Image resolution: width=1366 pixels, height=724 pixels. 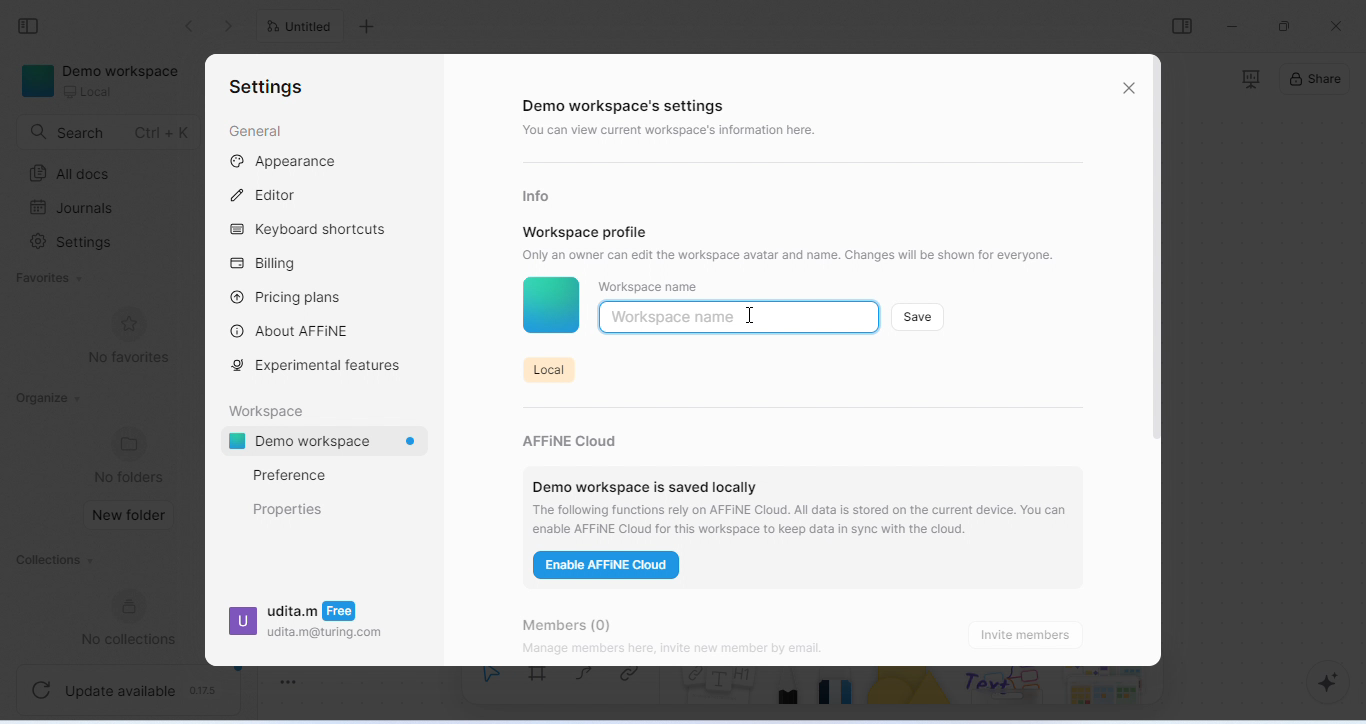 I want to click on all docs, so click(x=75, y=174).